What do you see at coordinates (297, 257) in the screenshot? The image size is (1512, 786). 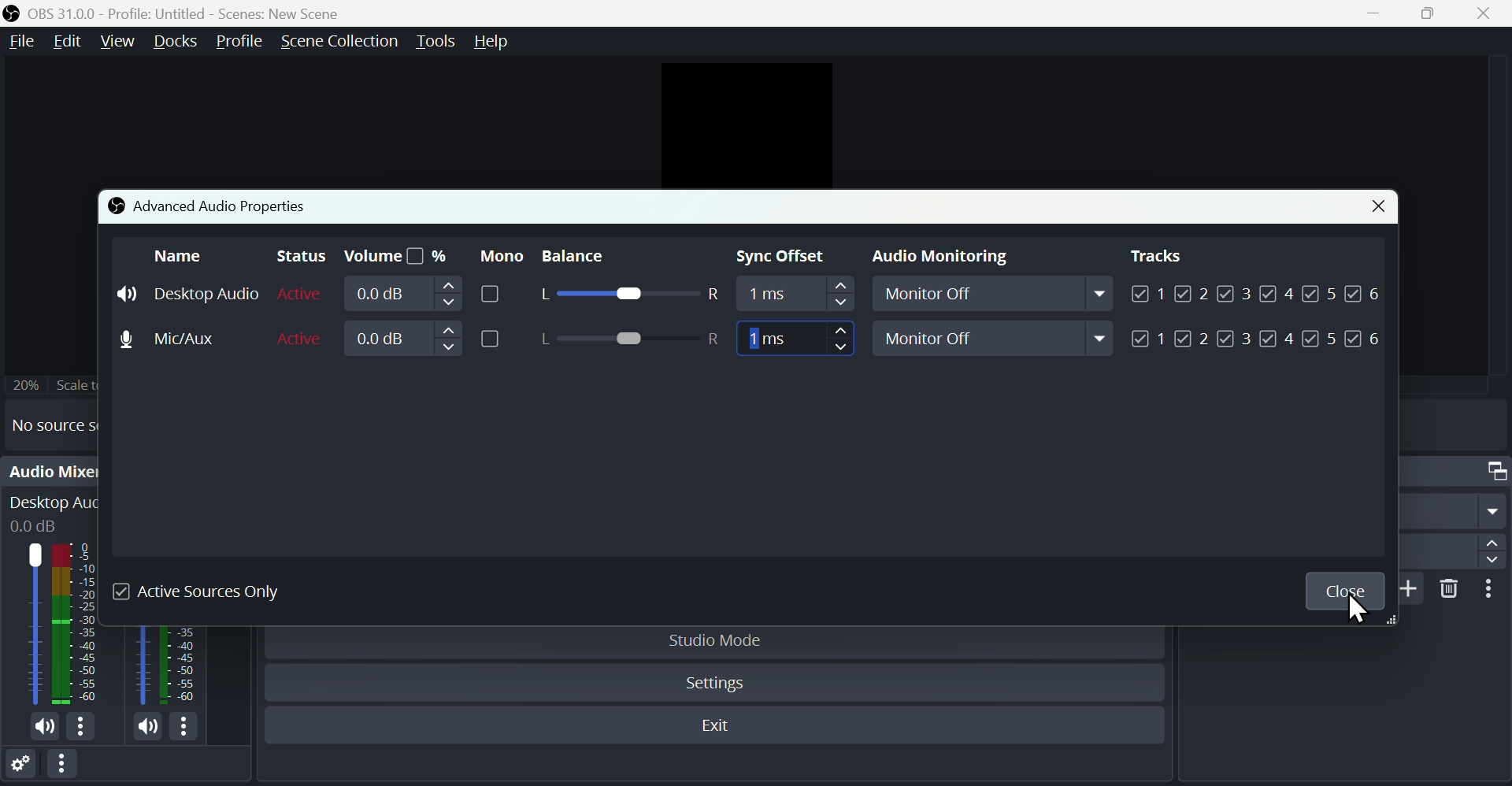 I see `Status` at bounding box center [297, 257].